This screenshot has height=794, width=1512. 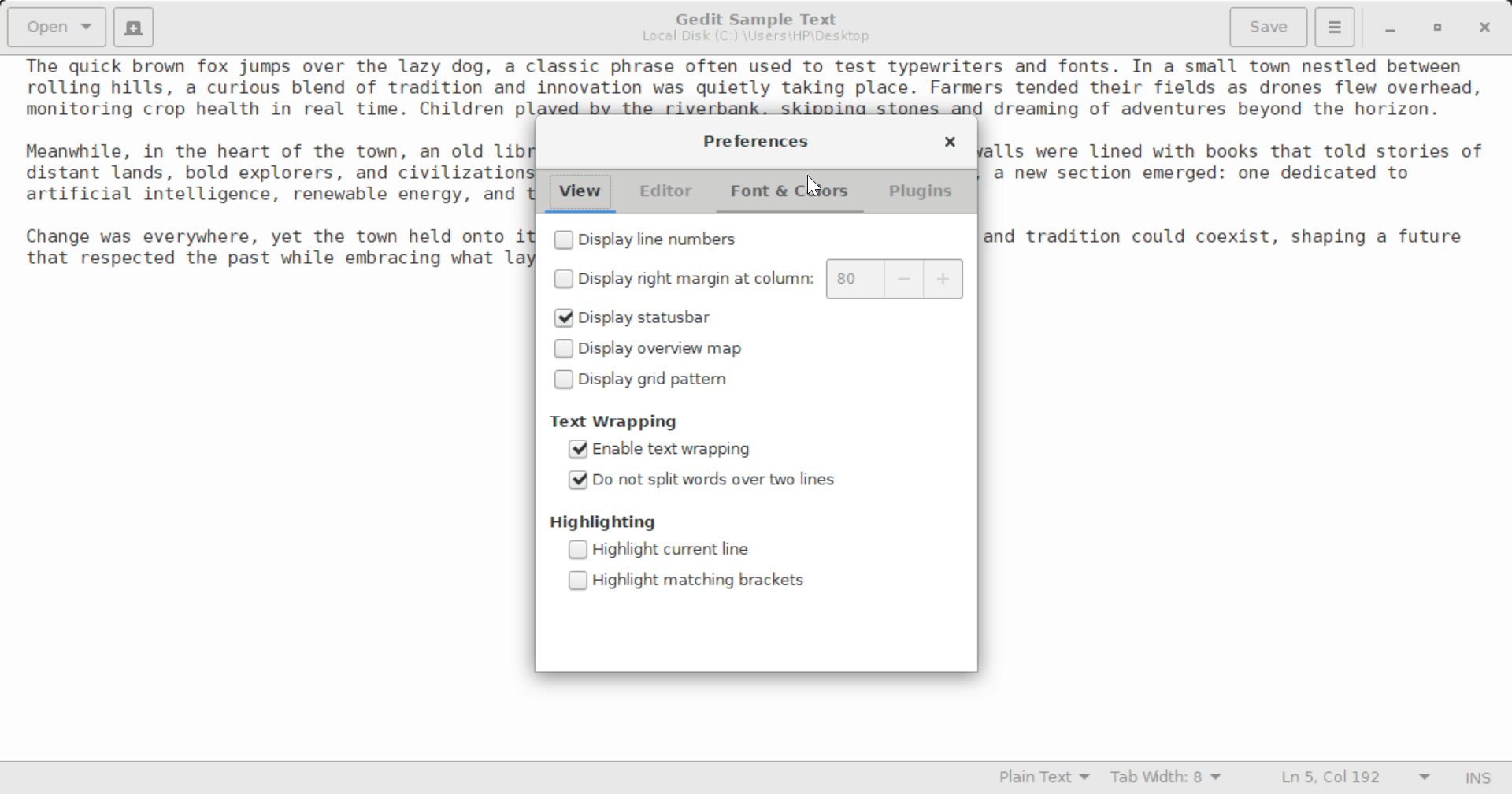 What do you see at coordinates (134, 25) in the screenshot?
I see `Create Documents` at bounding box center [134, 25].